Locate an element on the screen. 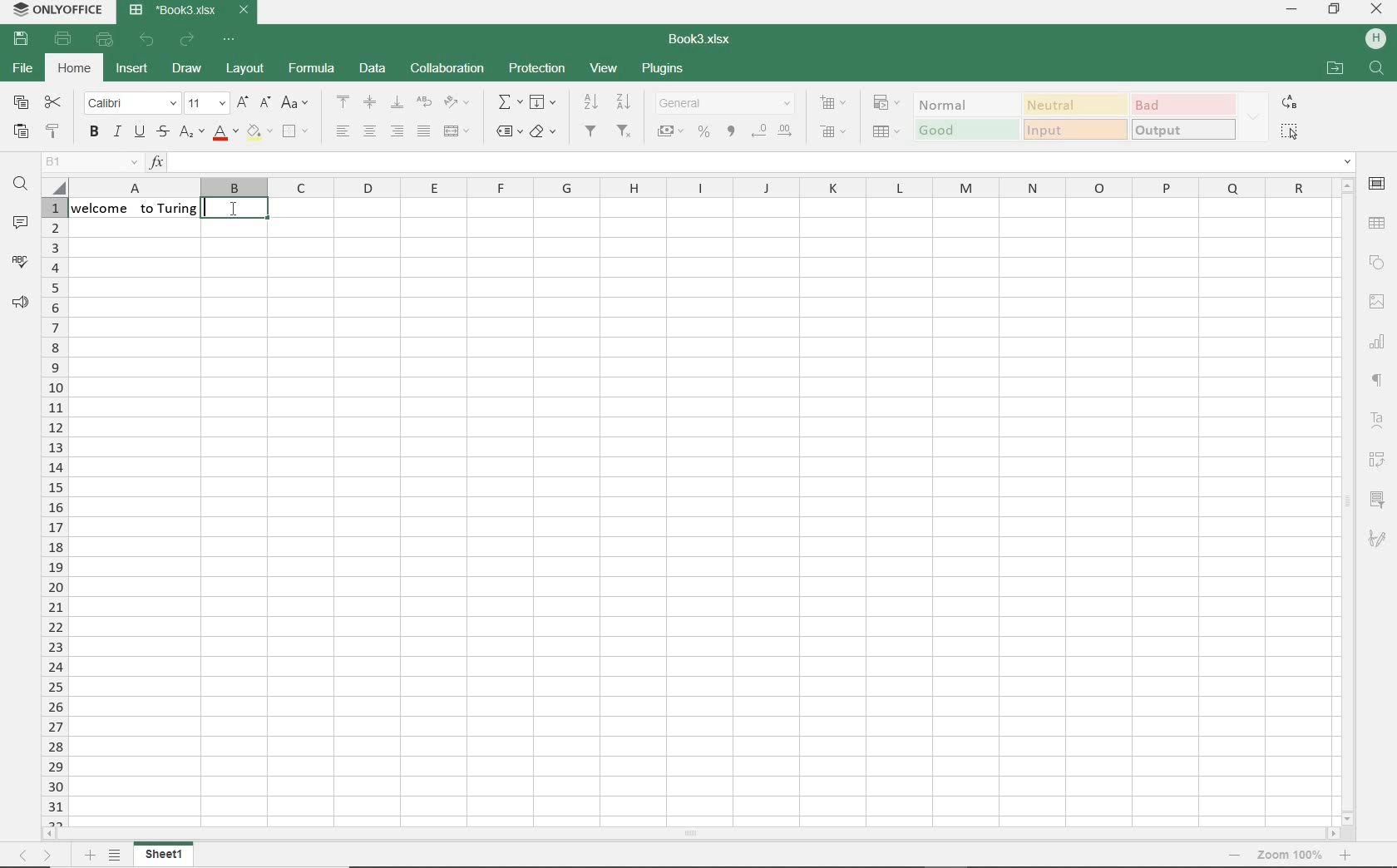 This screenshot has height=868, width=1397. FIND is located at coordinates (1376, 67).